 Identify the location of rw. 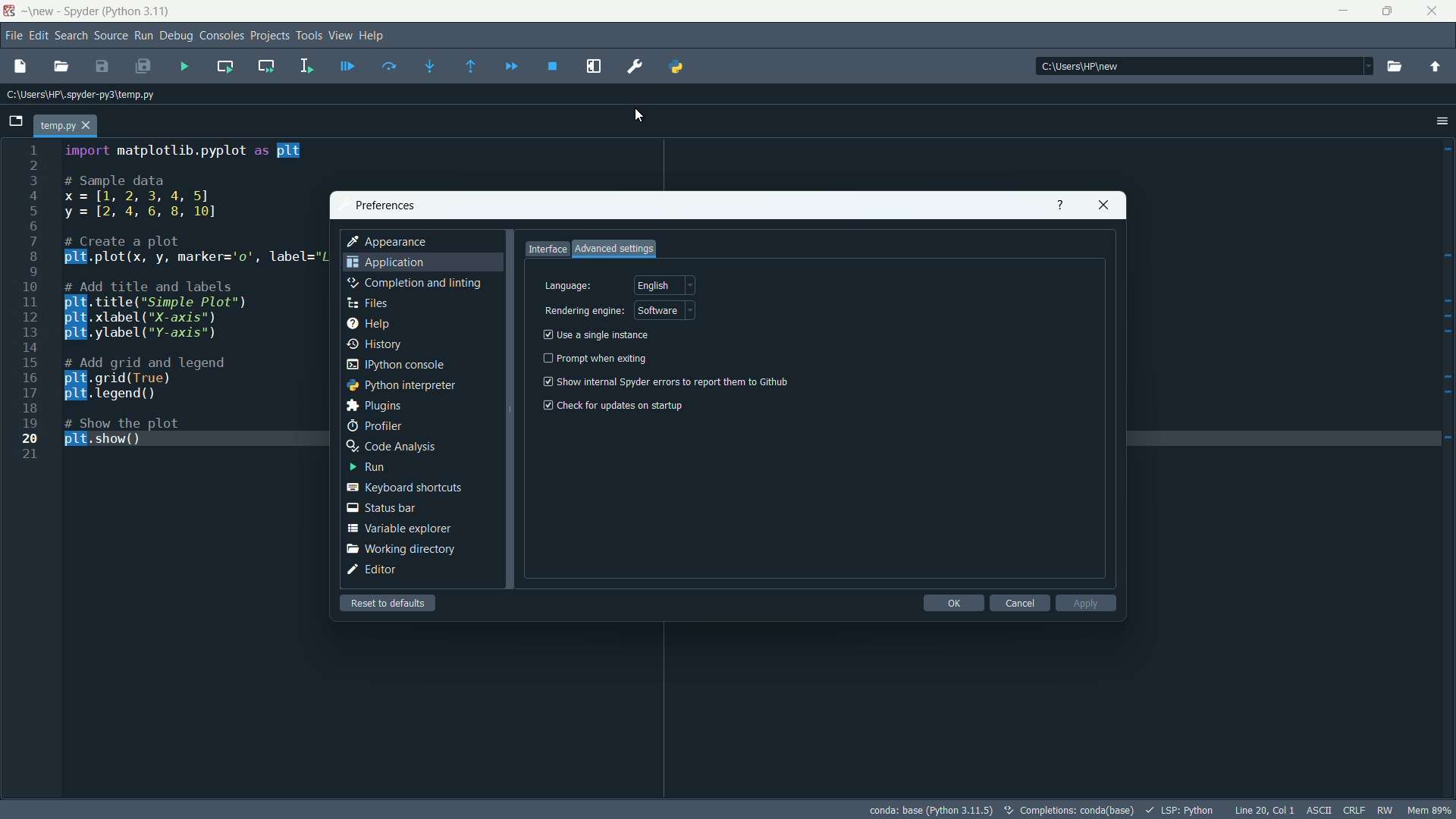
(1385, 810).